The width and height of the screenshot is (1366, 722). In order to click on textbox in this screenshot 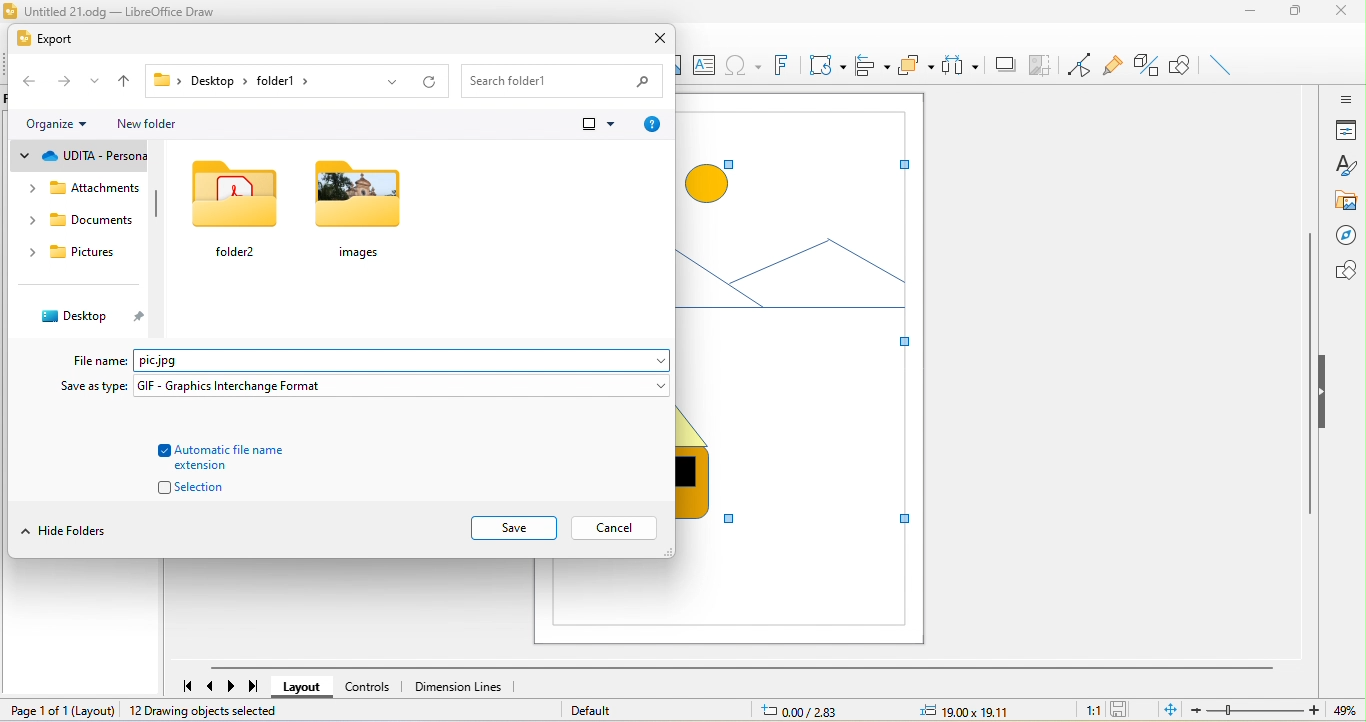, I will do `click(707, 66)`.